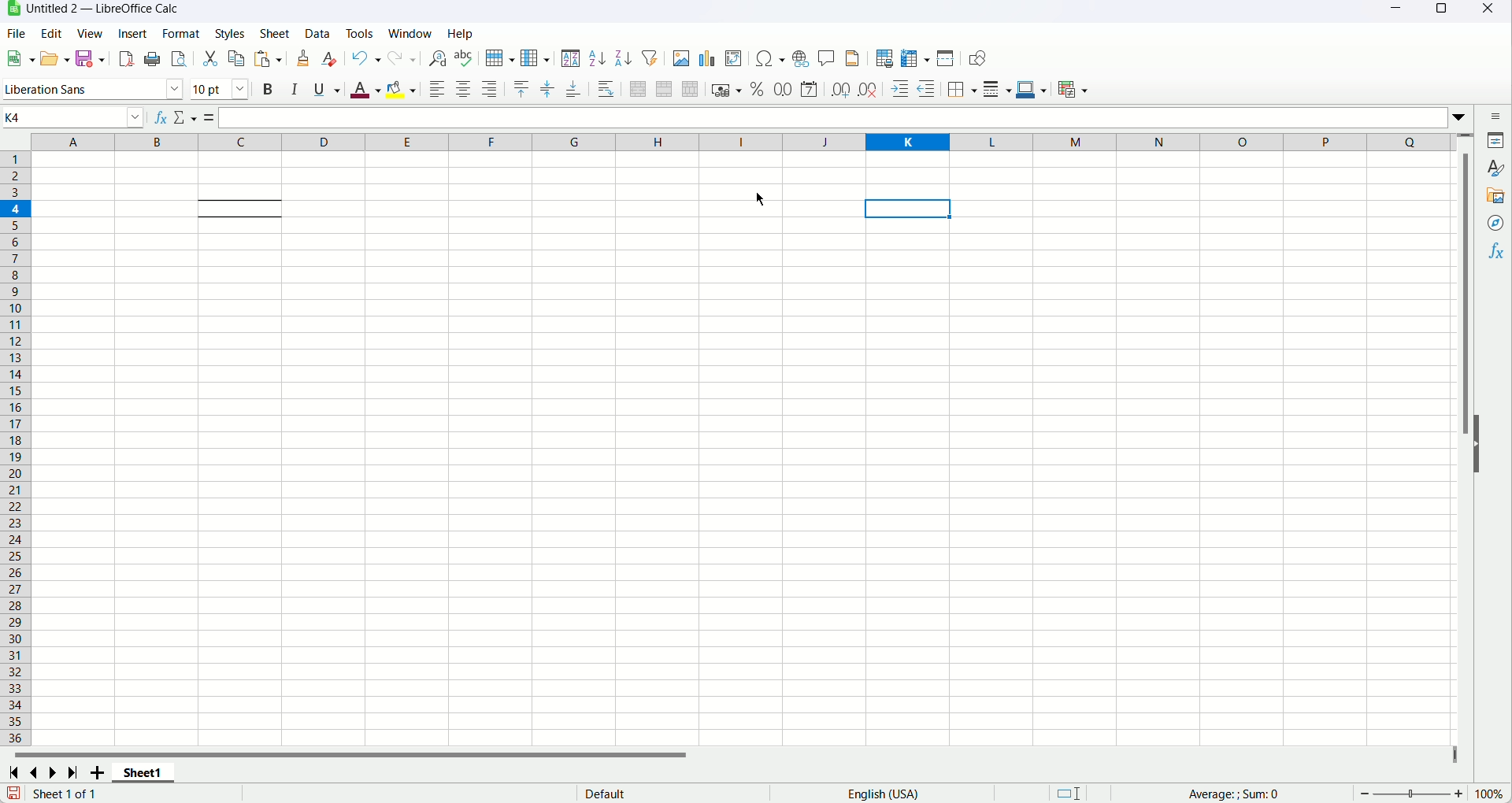 This screenshot has height=803, width=1512. I want to click on Sidebar settings, so click(1490, 116).